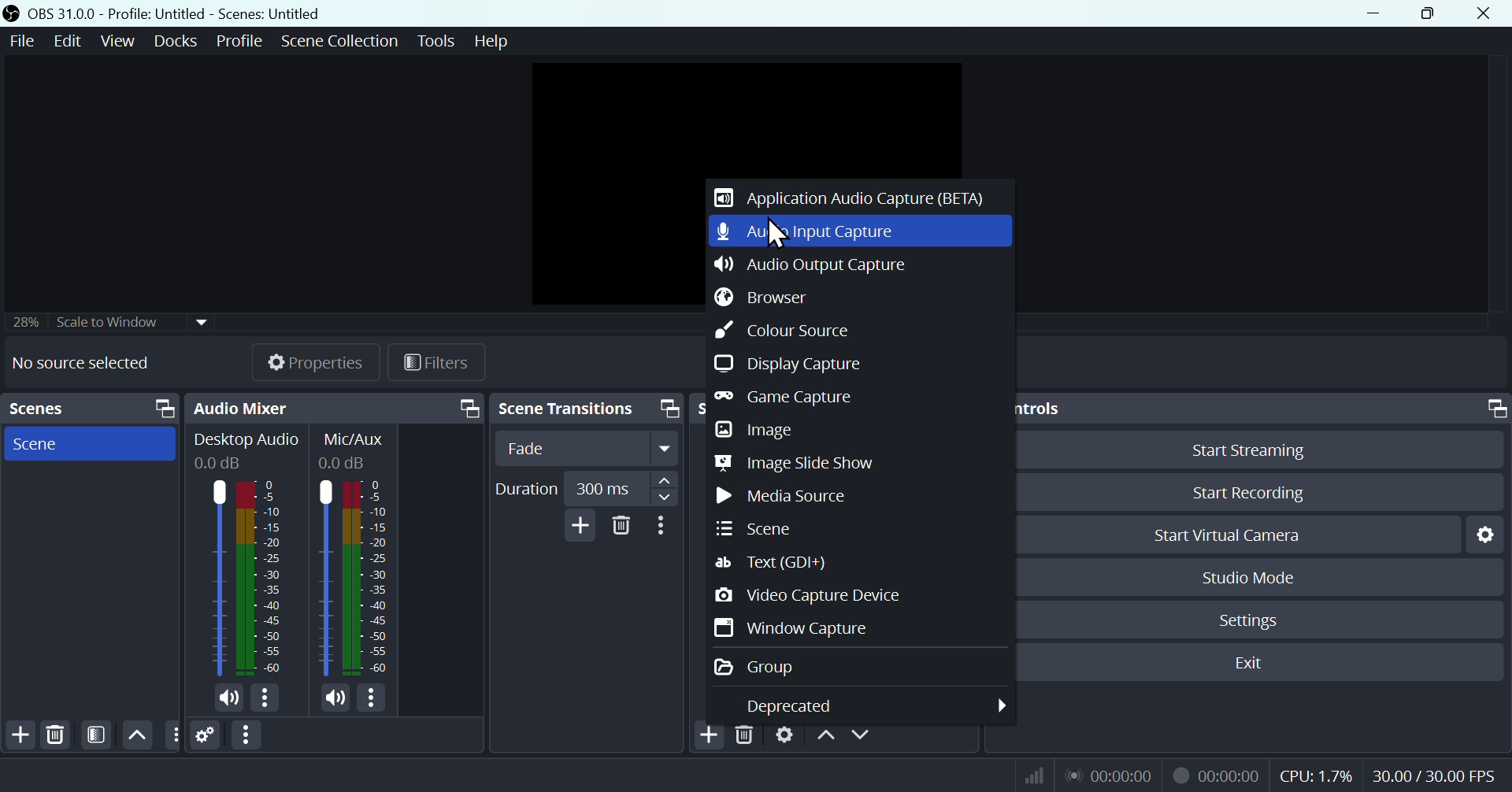  Describe the element at coordinates (230, 701) in the screenshot. I see `(un)mute` at that location.